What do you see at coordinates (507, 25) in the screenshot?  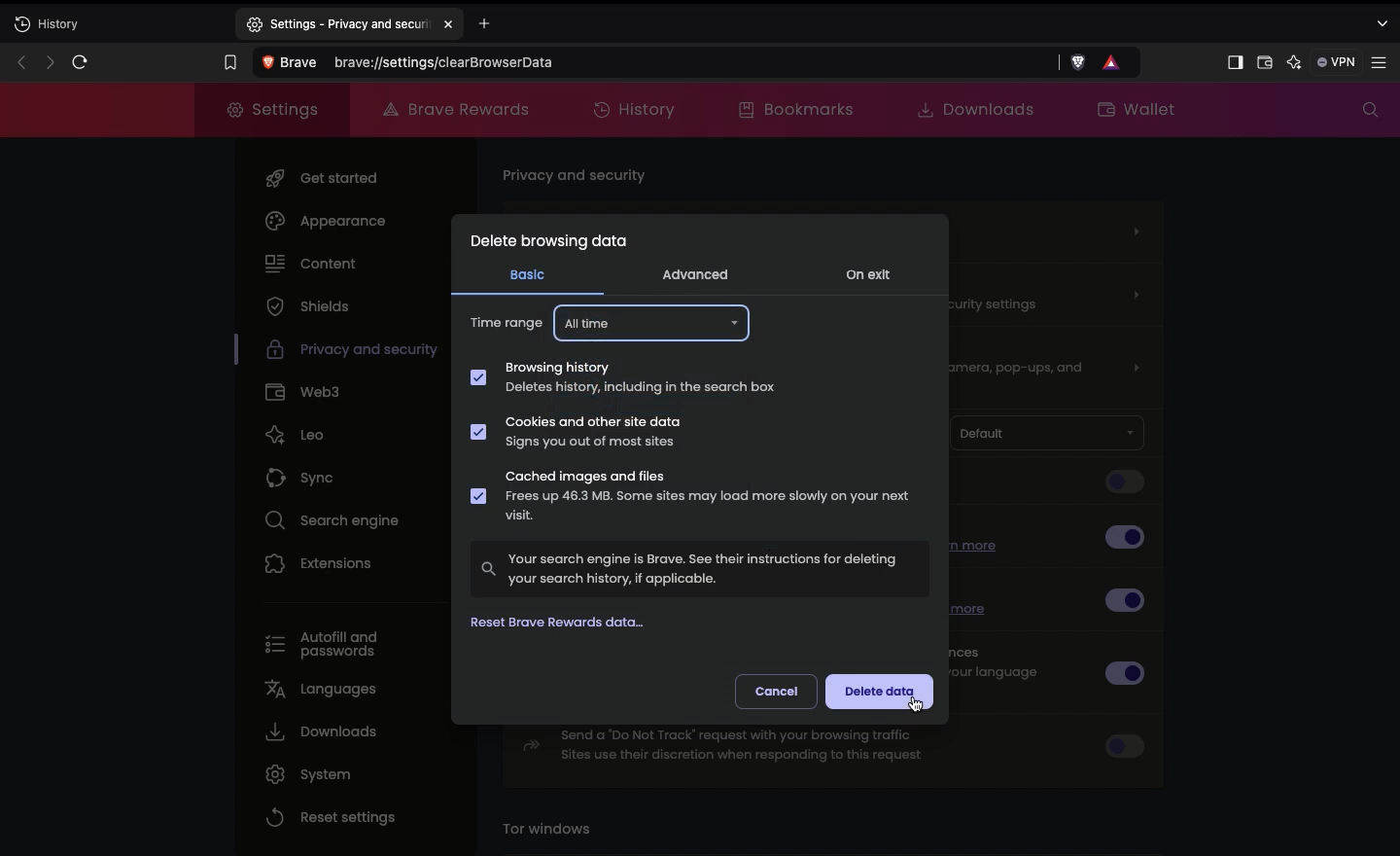 I see `Add new tab` at bounding box center [507, 25].